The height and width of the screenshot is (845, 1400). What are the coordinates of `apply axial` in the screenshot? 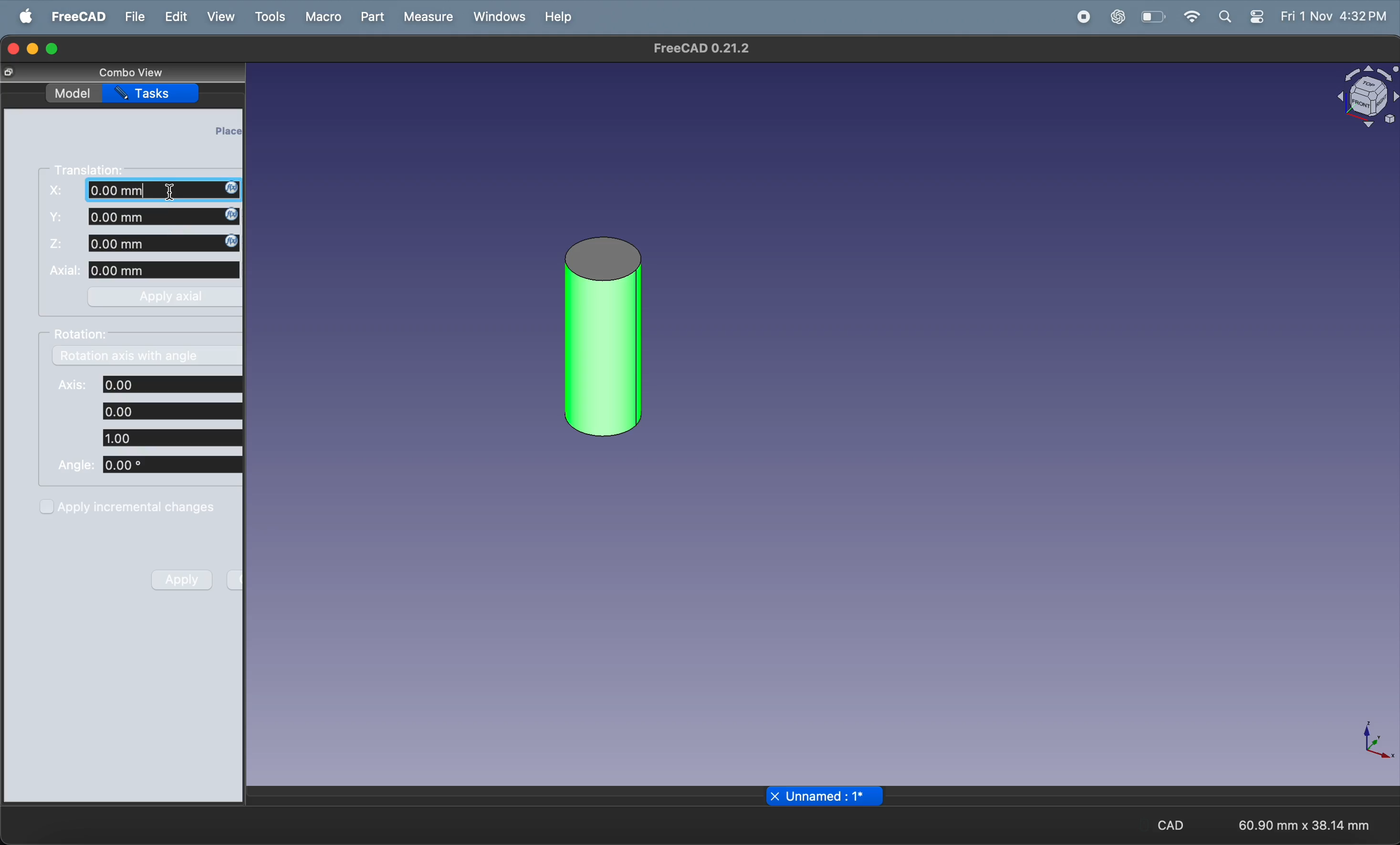 It's located at (163, 299).